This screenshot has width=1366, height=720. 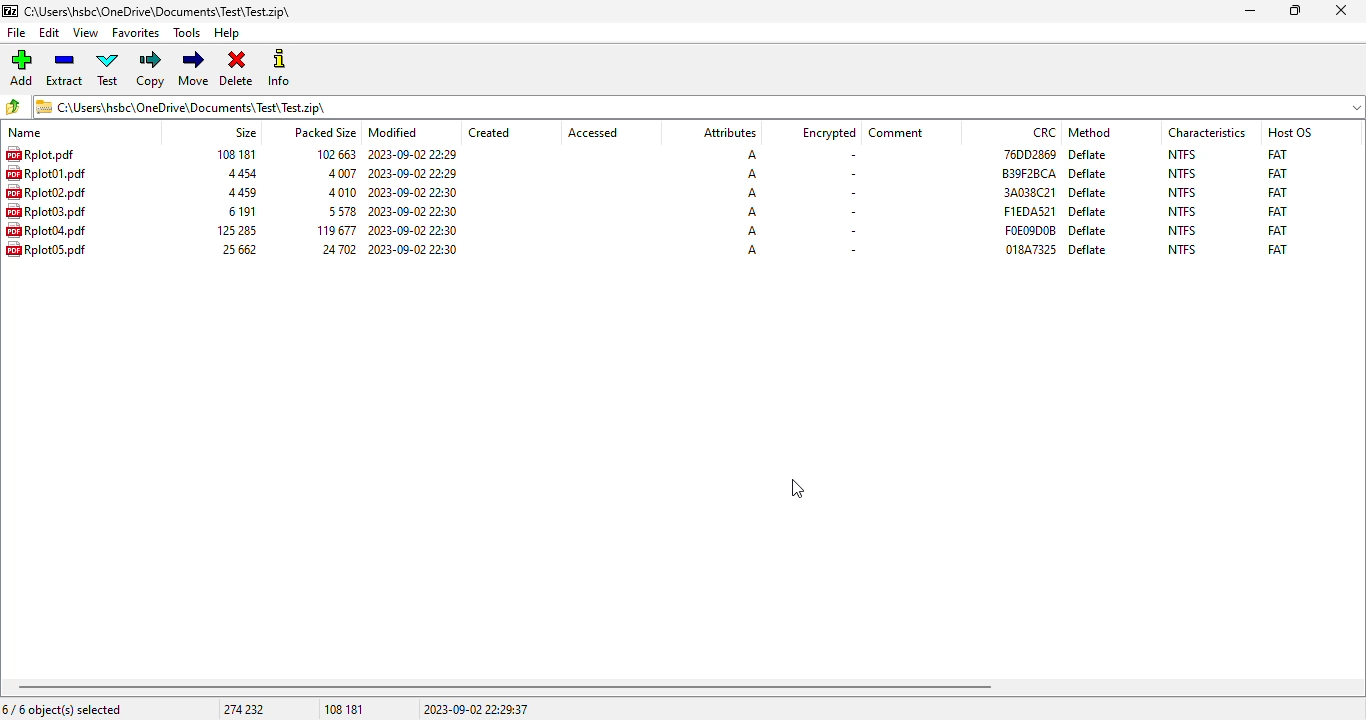 I want to click on deflate, so click(x=1087, y=212).